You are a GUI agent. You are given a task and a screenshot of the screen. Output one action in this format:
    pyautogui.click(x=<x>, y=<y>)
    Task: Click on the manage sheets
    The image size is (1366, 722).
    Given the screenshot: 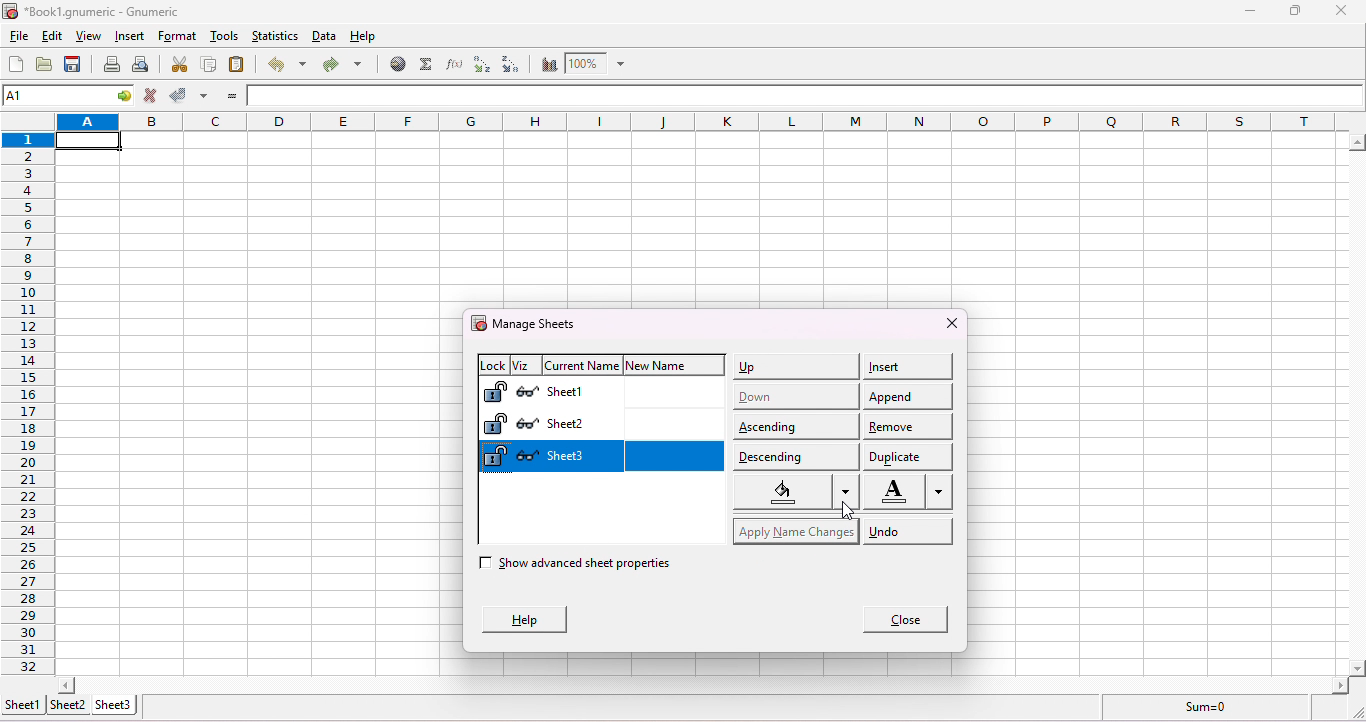 What is the action you would take?
    pyautogui.click(x=532, y=323)
    